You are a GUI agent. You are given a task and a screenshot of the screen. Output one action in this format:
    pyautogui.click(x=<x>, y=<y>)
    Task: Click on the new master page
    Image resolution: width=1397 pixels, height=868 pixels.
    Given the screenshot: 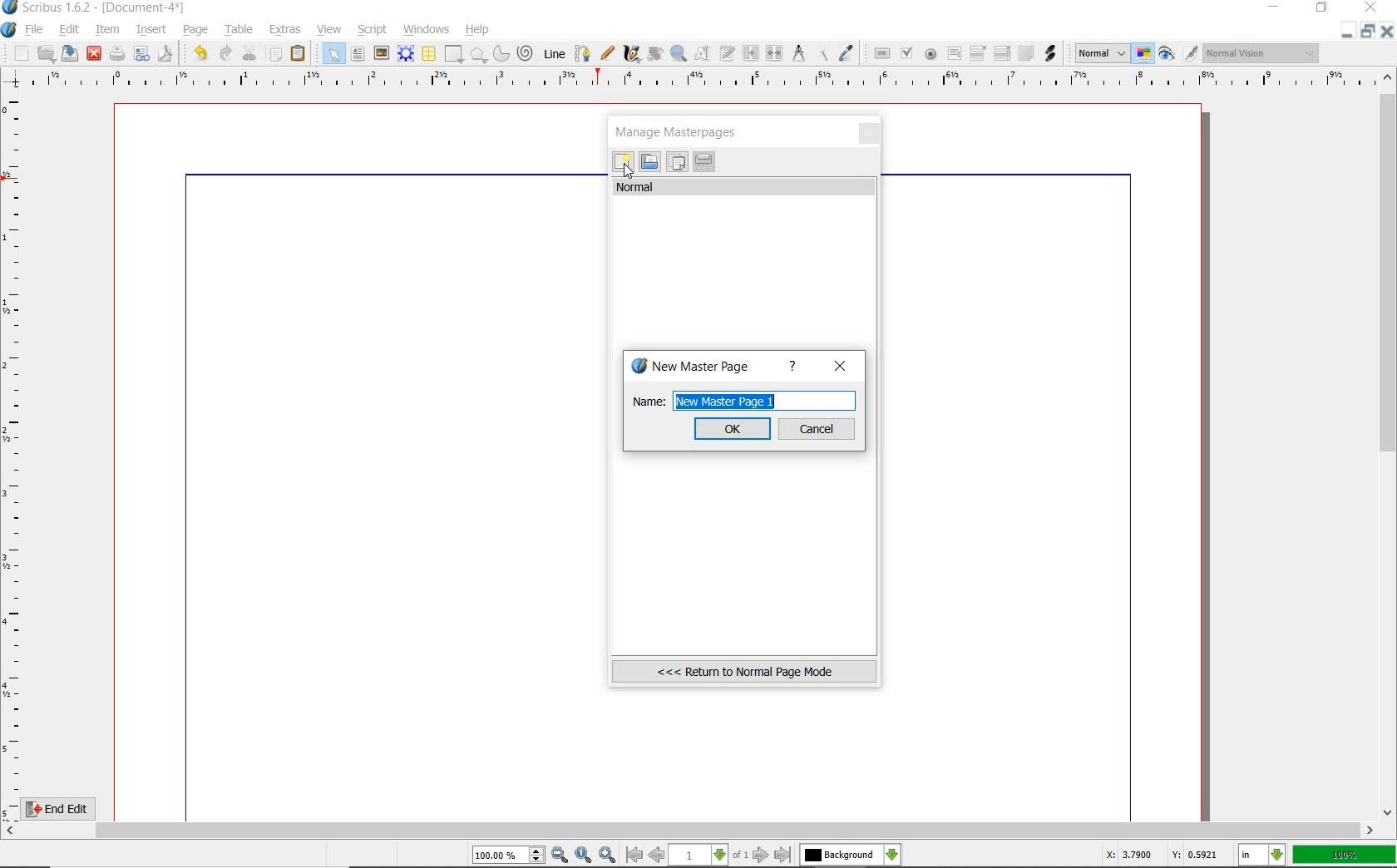 What is the action you would take?
    pyautogui.click(x=694, y=367)
    